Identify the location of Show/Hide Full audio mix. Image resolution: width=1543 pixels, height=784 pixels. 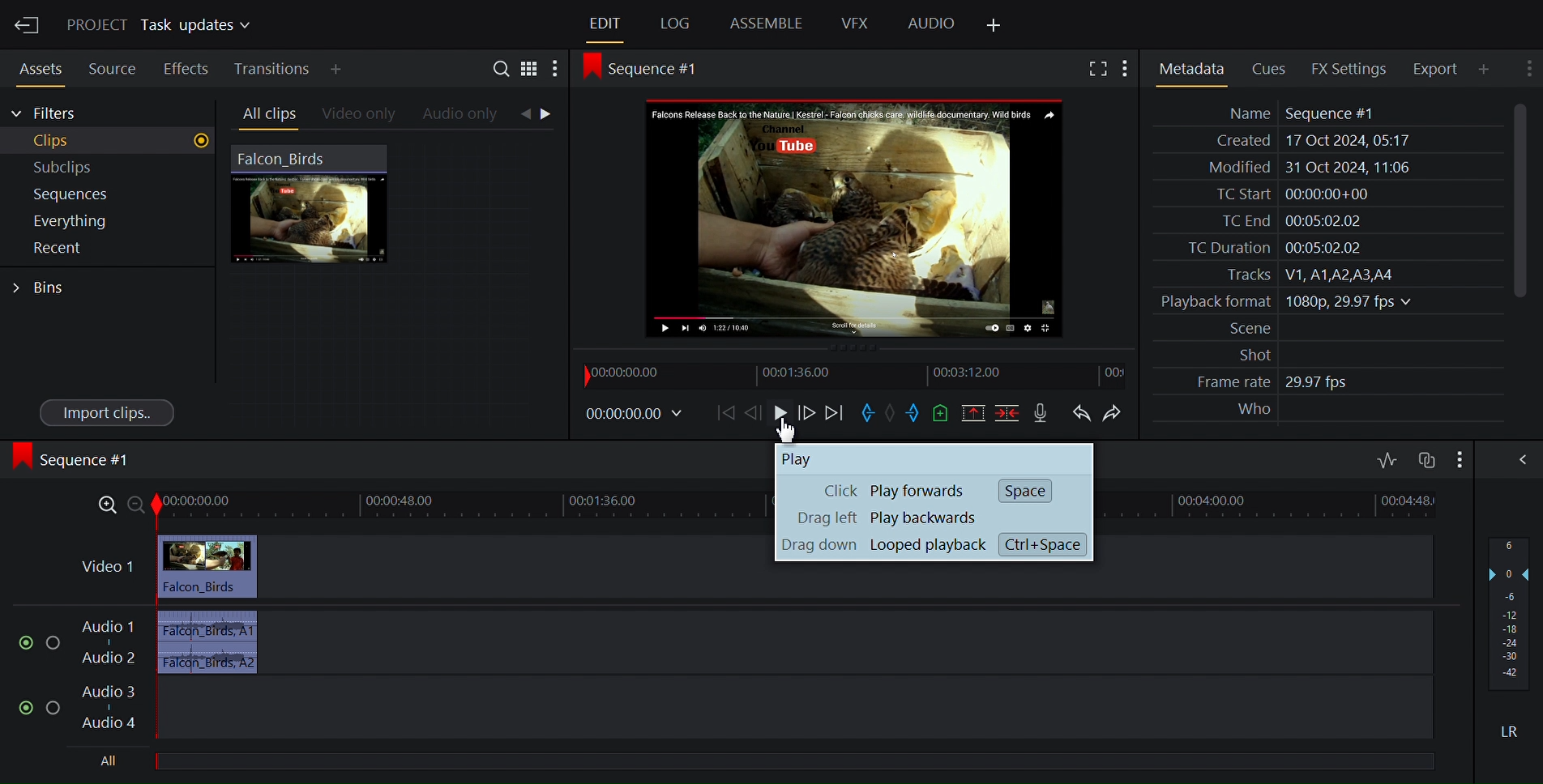
(1515, 458).